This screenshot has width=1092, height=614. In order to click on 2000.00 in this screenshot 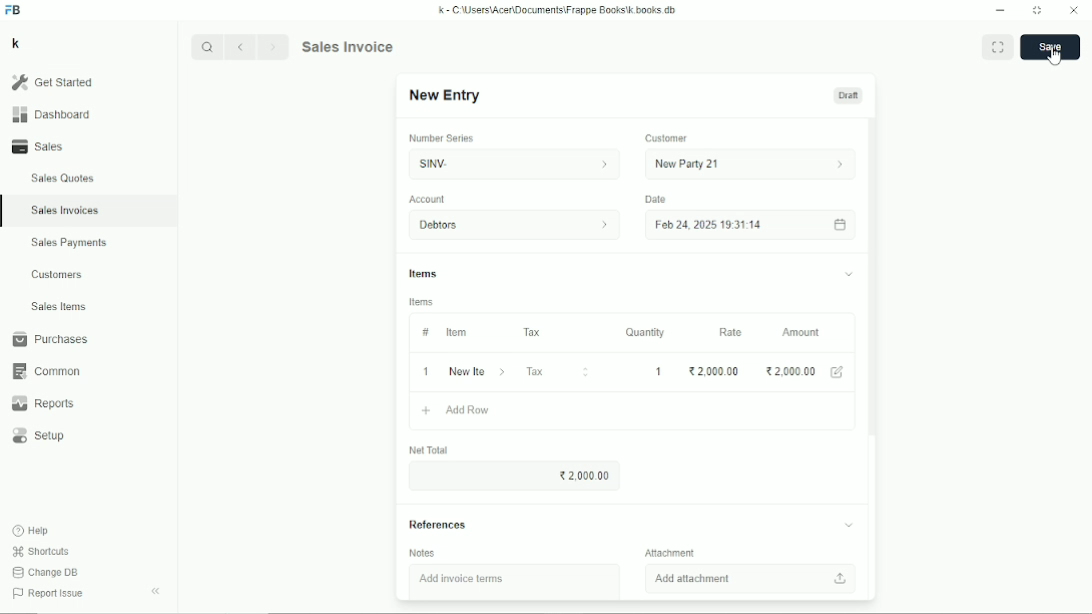, I will do `click(790, 371)`.